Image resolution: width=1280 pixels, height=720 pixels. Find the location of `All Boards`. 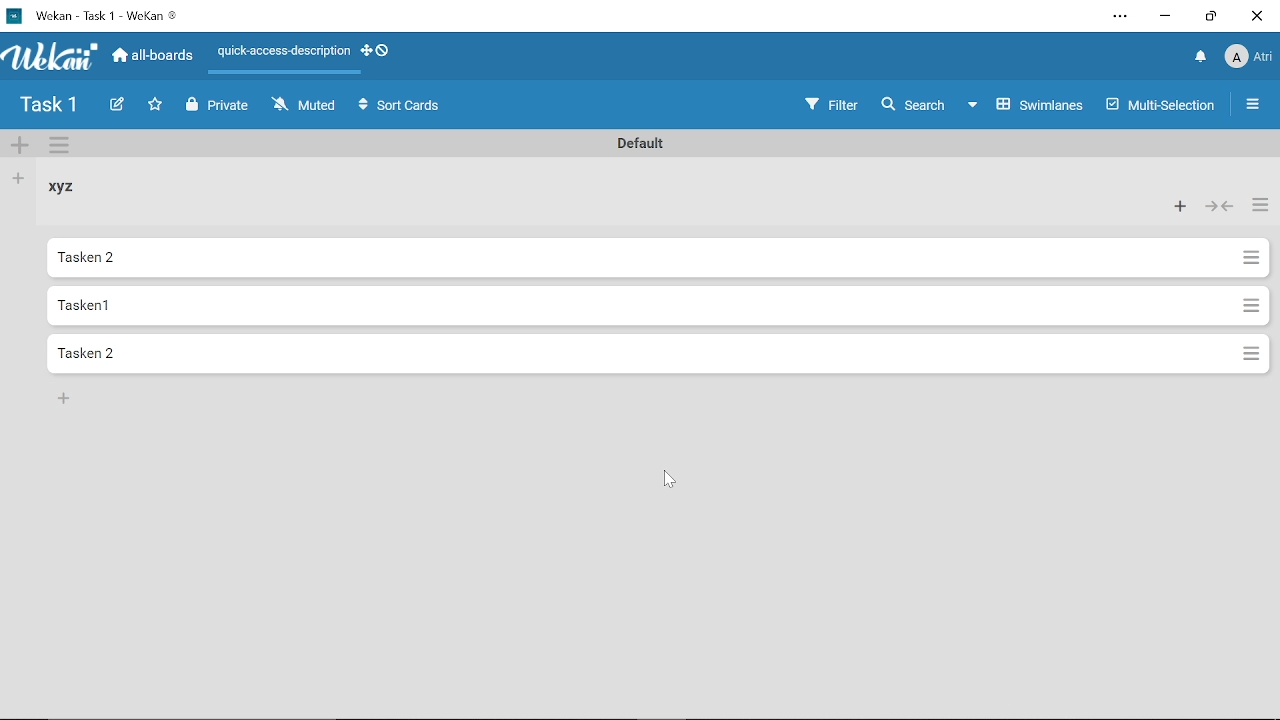

All Boards is located at coordinates (153, 58).